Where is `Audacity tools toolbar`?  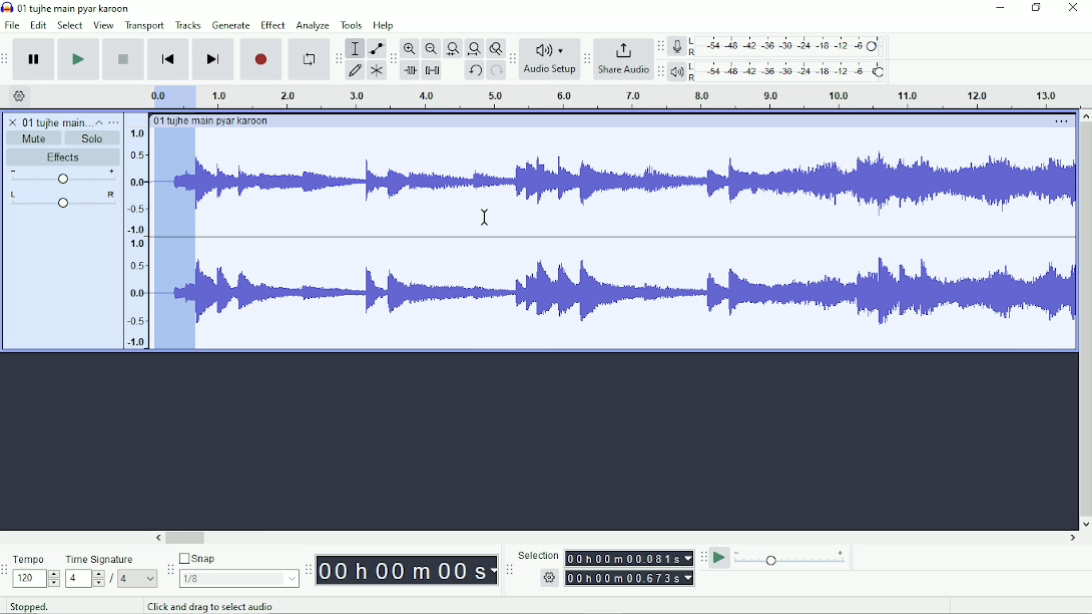
Audacity tools toolbar is located at coordinates (338, 55).